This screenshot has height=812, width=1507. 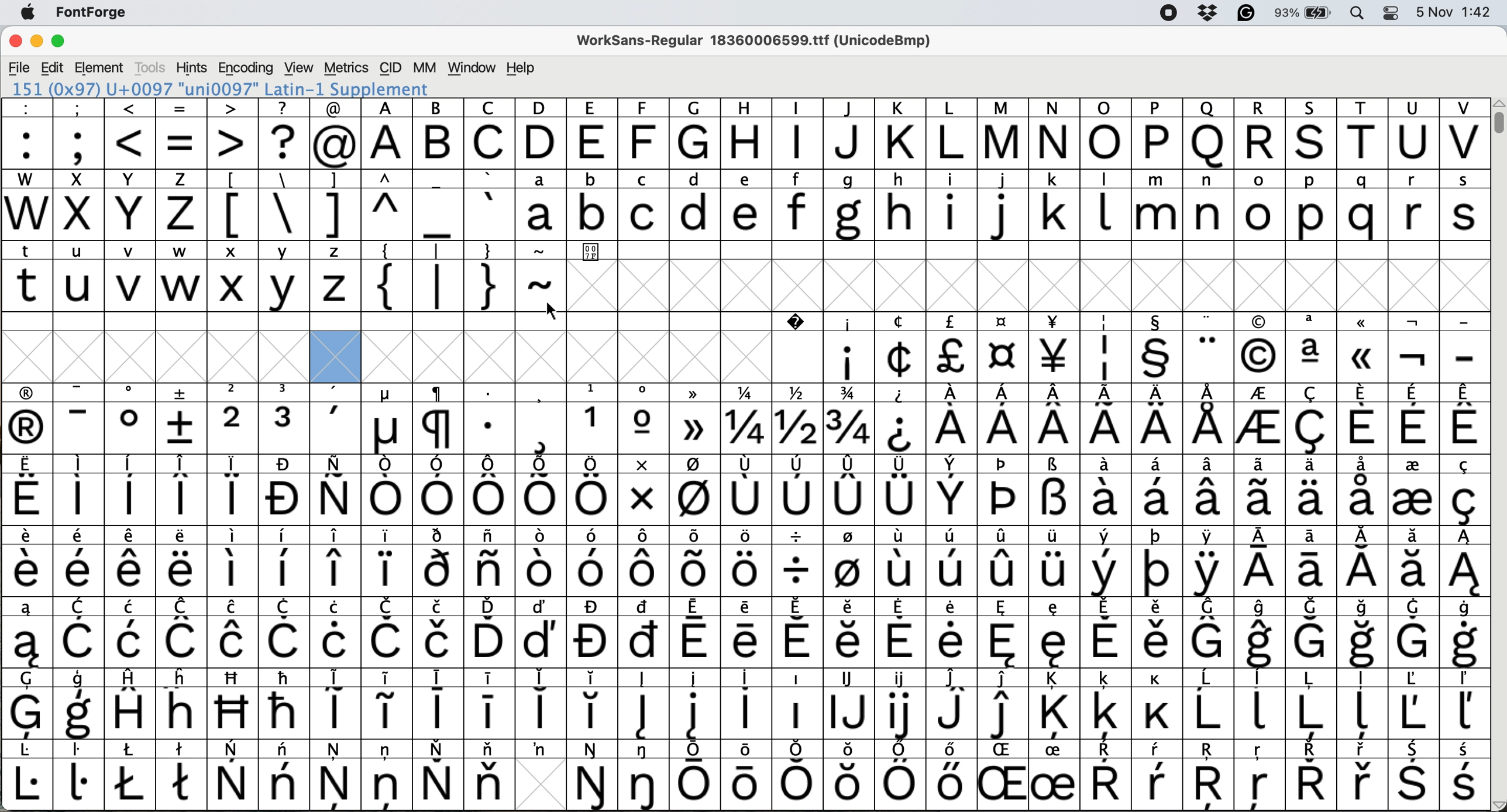 I want to click on control center, so click(x=1395, y=12).